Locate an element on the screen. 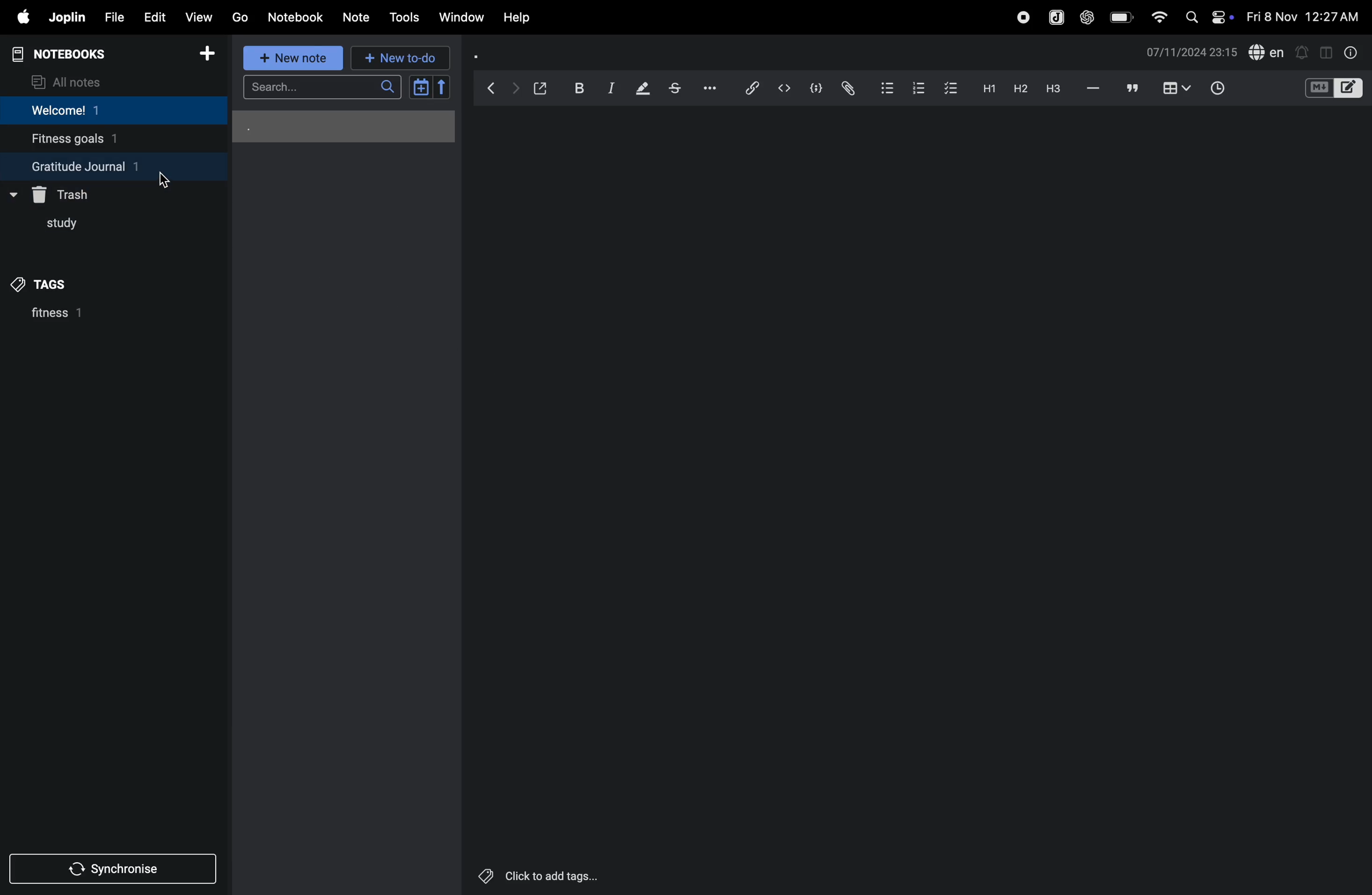 Image resolution: width=1372 pixels, height=895 pixels. click to add tags is located at coordinates (533, 873).